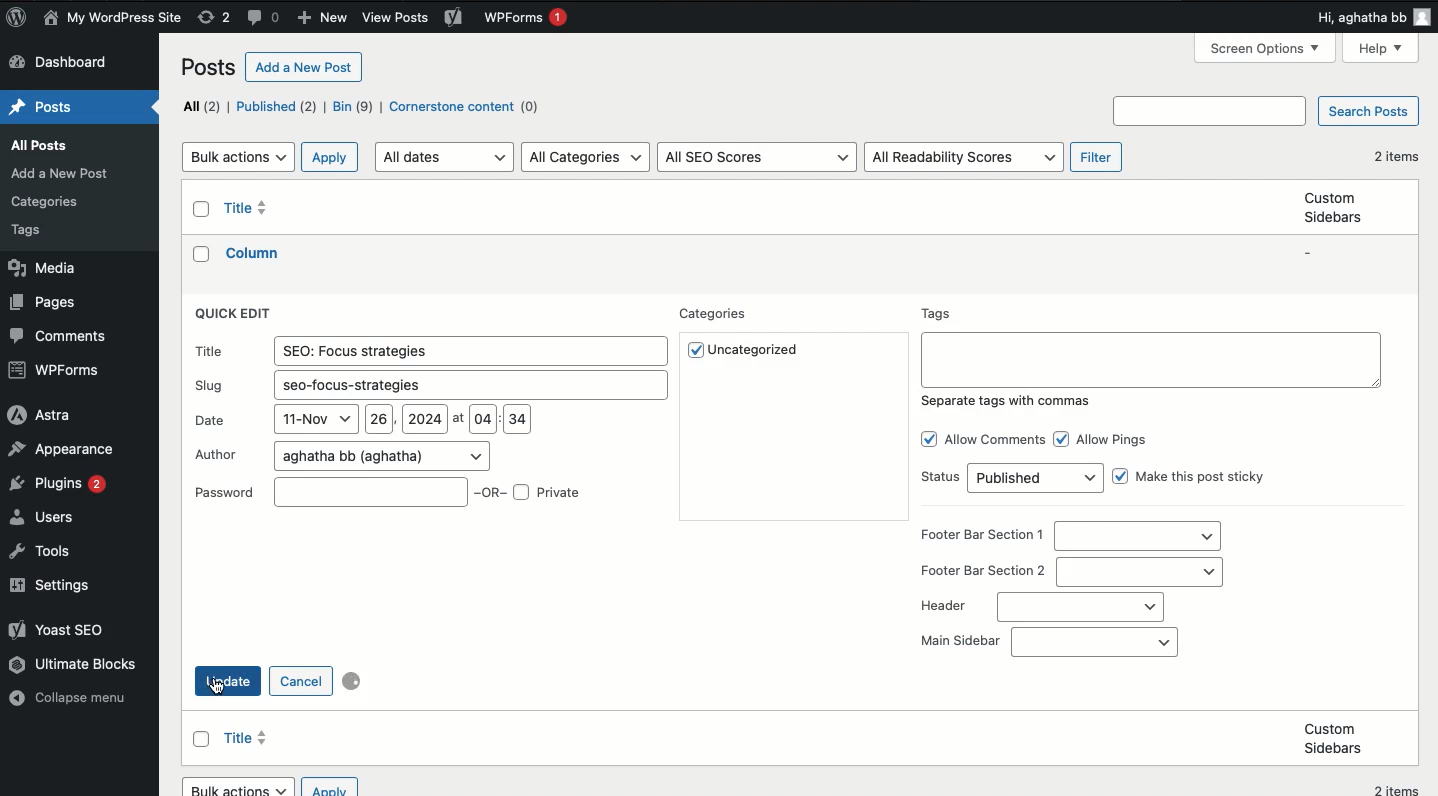  Describe the element at coordinates (305, 66) in the screenshot. I see `Add a new post` at that location.